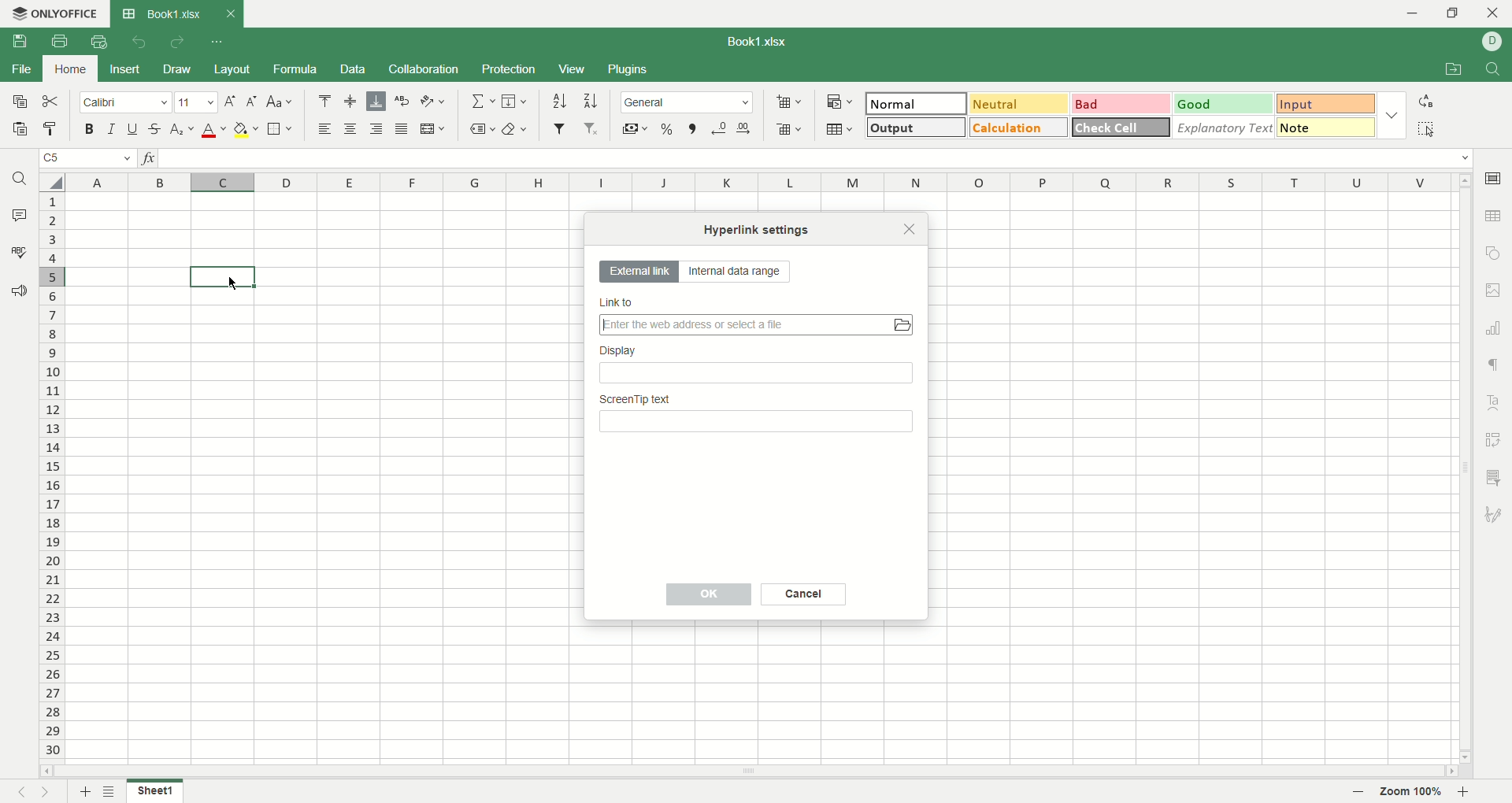  What do you see at coordinates (1492, 41) in the screenshot?
I see `account` at bounding box center [1492, 41].